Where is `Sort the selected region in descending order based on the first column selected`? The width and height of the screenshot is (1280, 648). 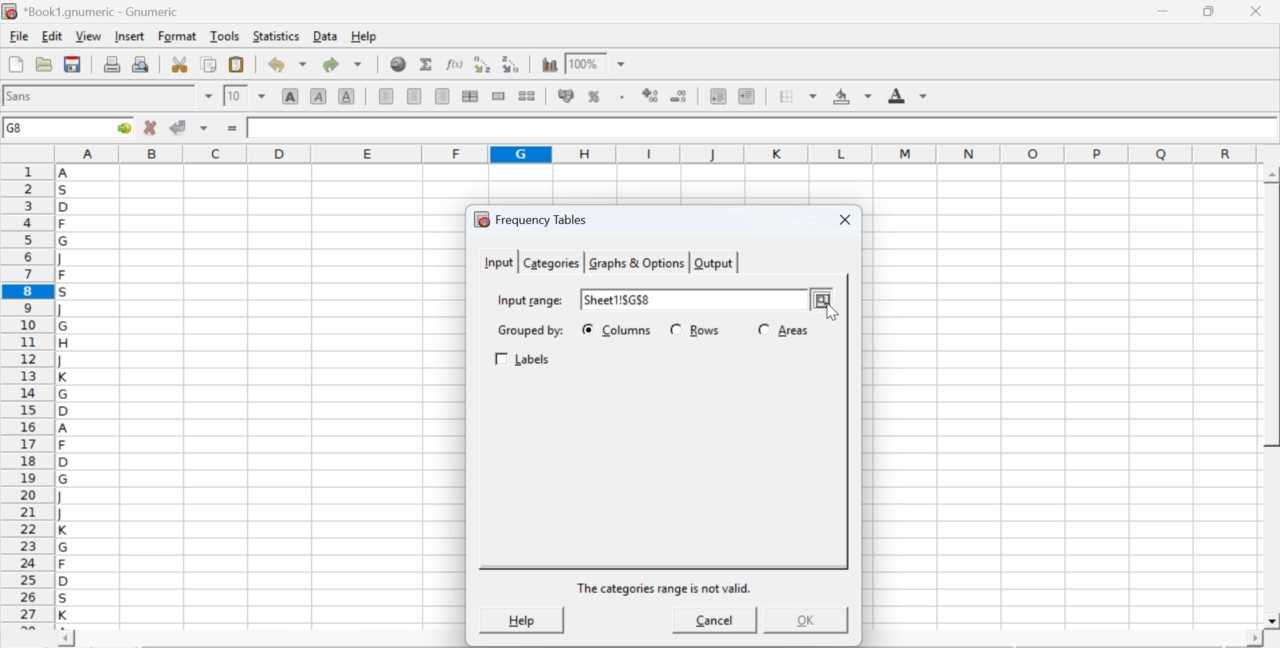 Sort the selected region in descending order based on the first column selected is located at coordinates (512, 62).